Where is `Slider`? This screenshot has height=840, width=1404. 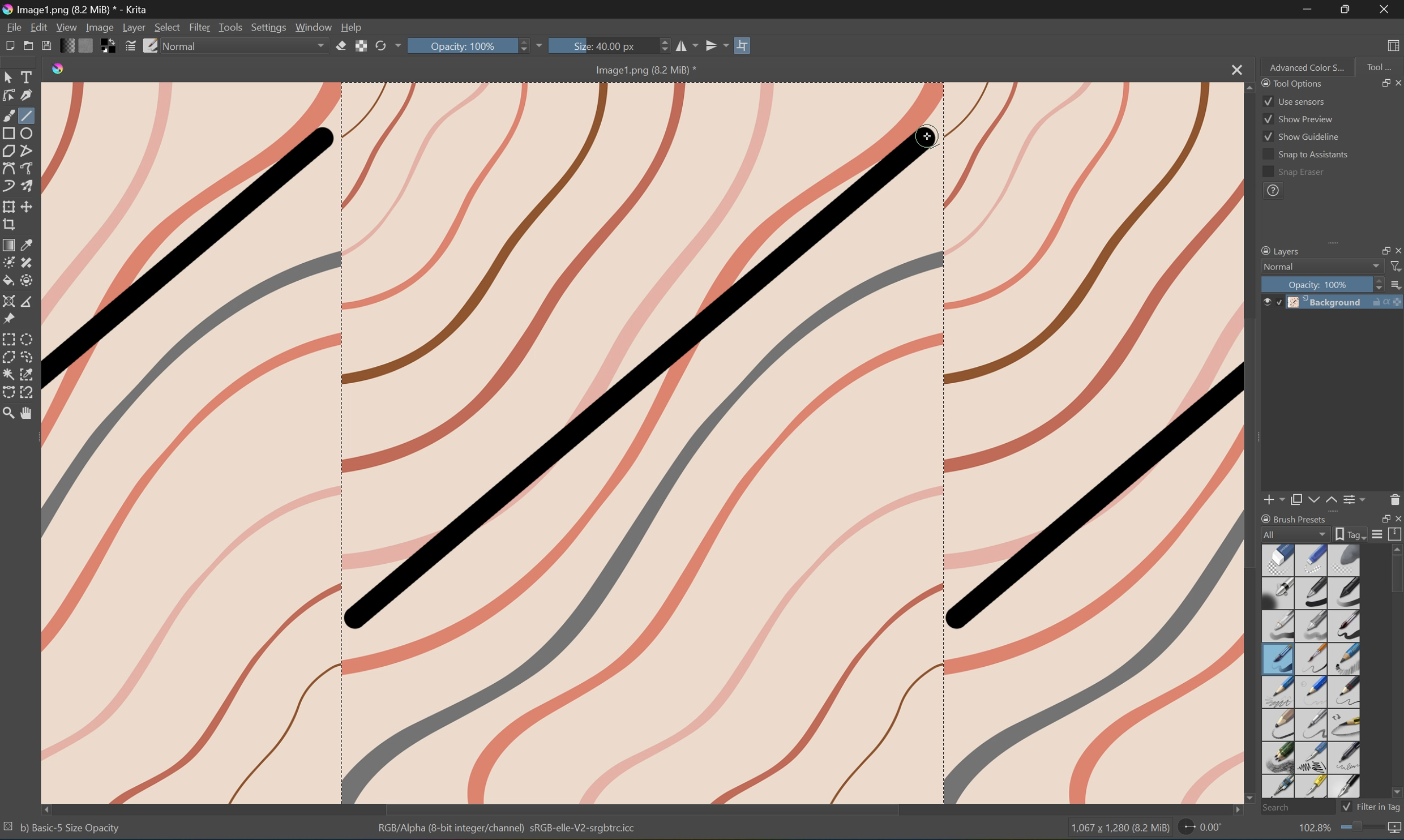
Slider is located at coordinates (1375, 284).